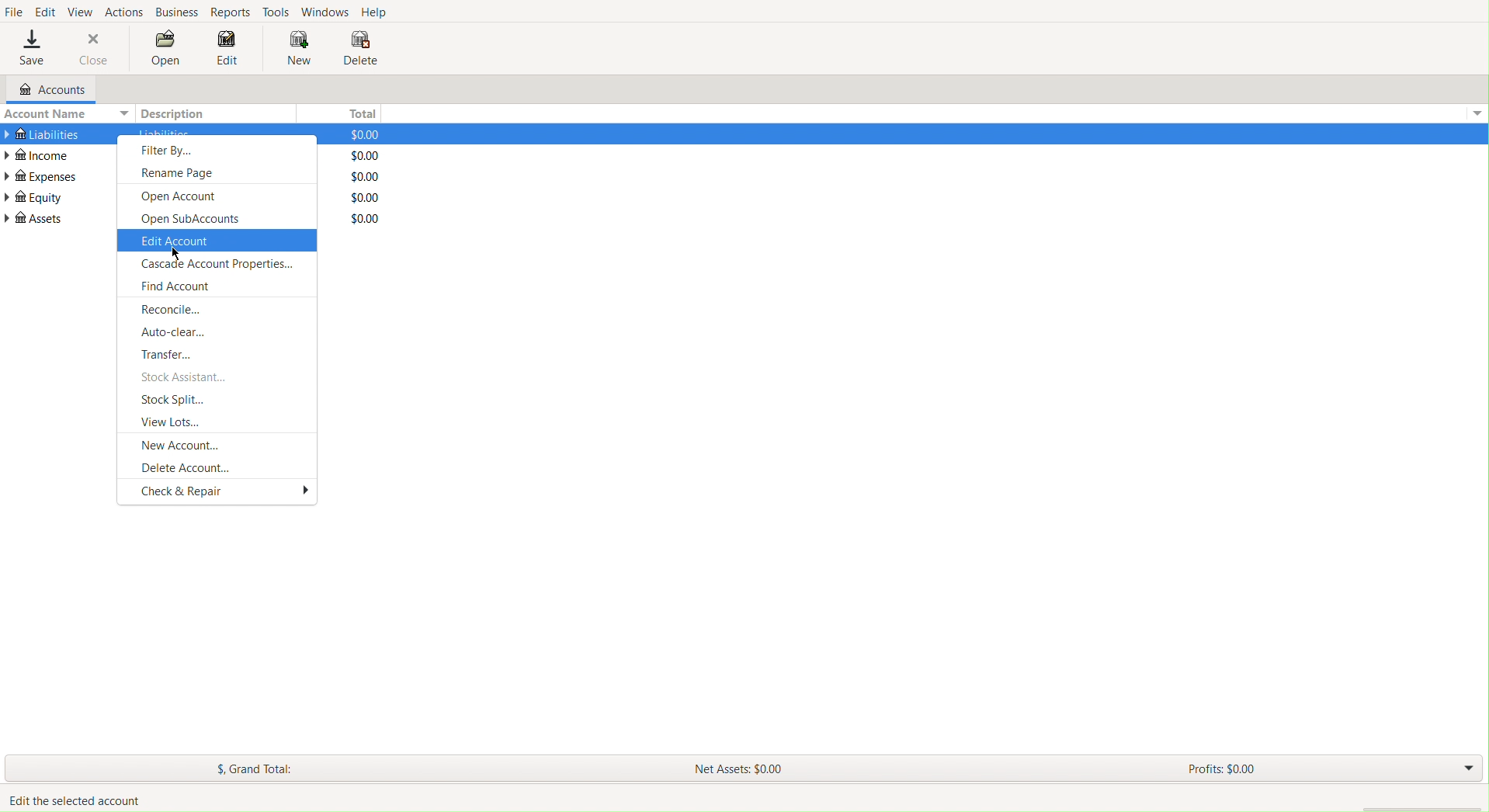 This screenshot has width=1489, height=812. Describe the element at coordinates (177, 400) in the screenshot. I see `Stock Split` at that location.